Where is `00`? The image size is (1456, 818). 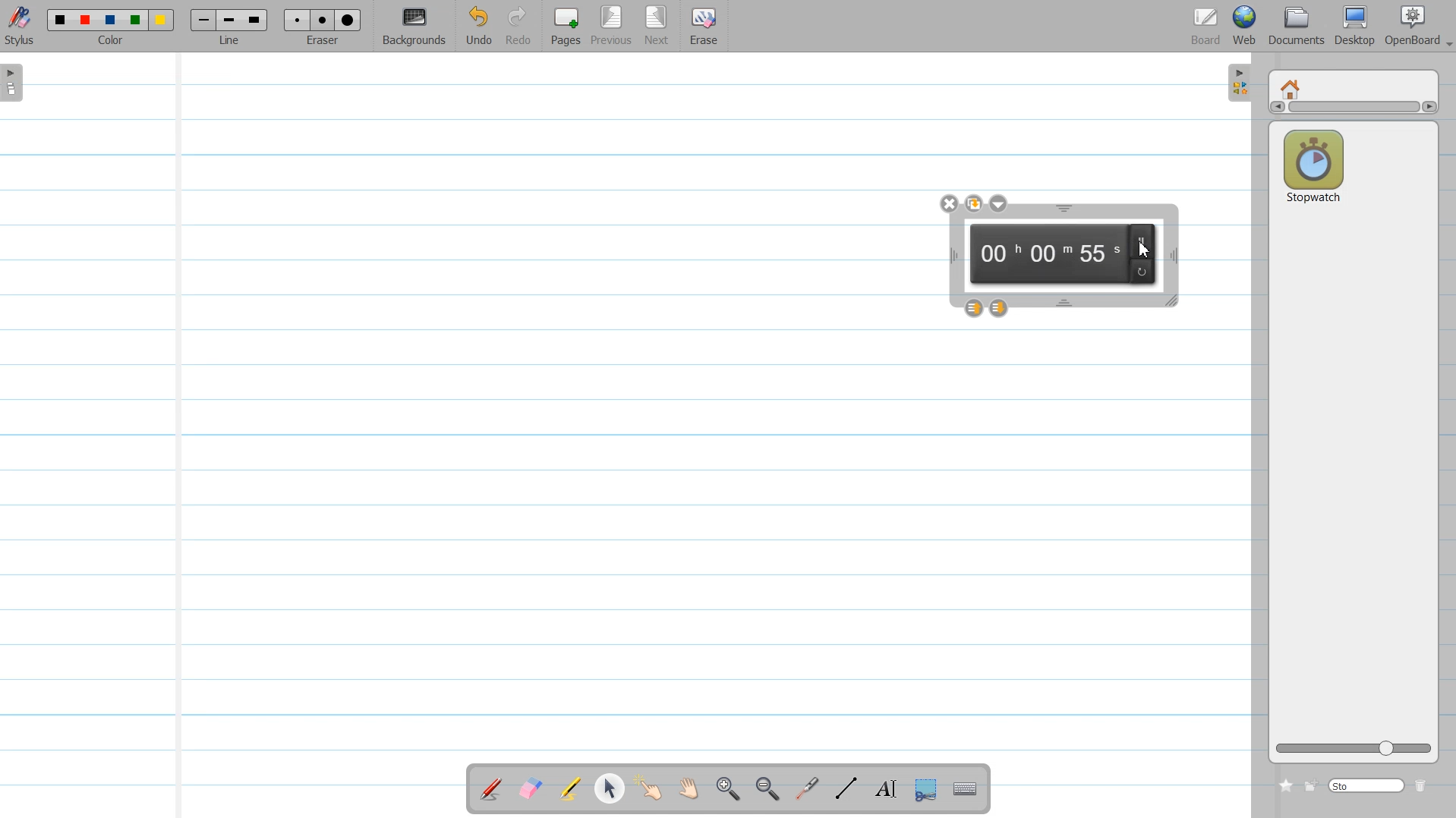
00 is located at coordinates (997, 254).